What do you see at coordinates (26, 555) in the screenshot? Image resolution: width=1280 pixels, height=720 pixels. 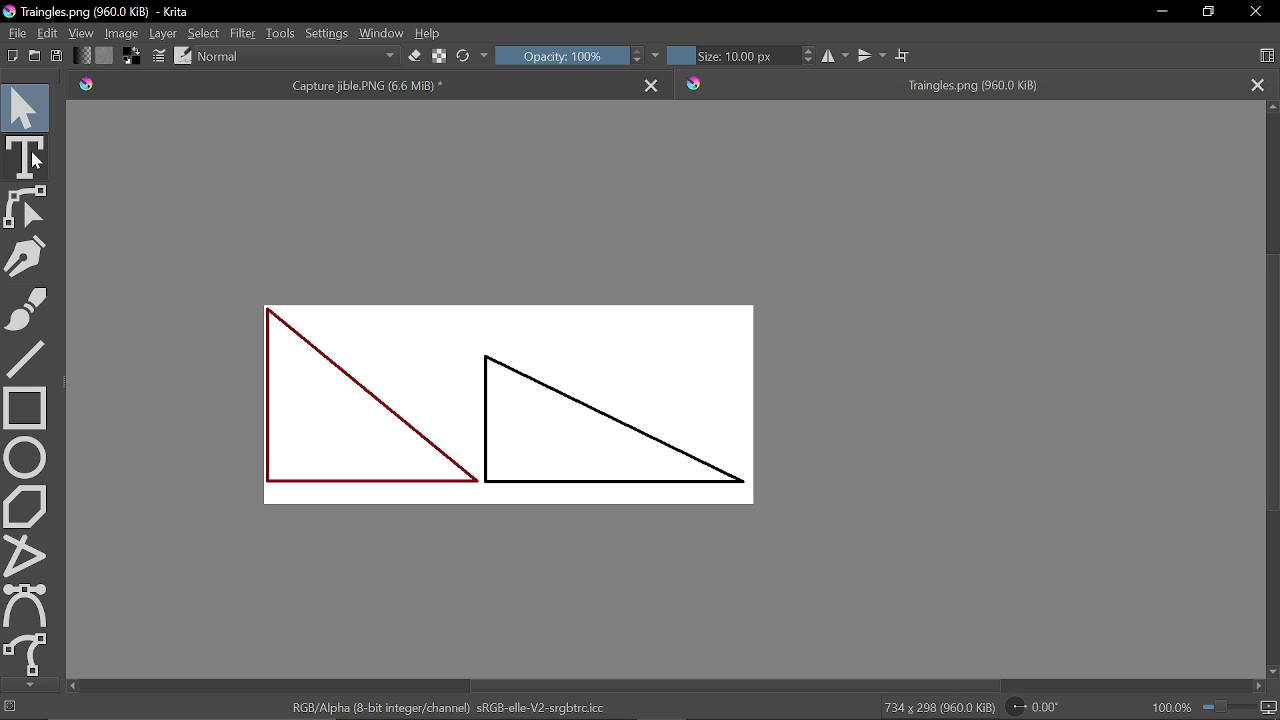 I see `Polyline tool` at bounding box center [26, 555].